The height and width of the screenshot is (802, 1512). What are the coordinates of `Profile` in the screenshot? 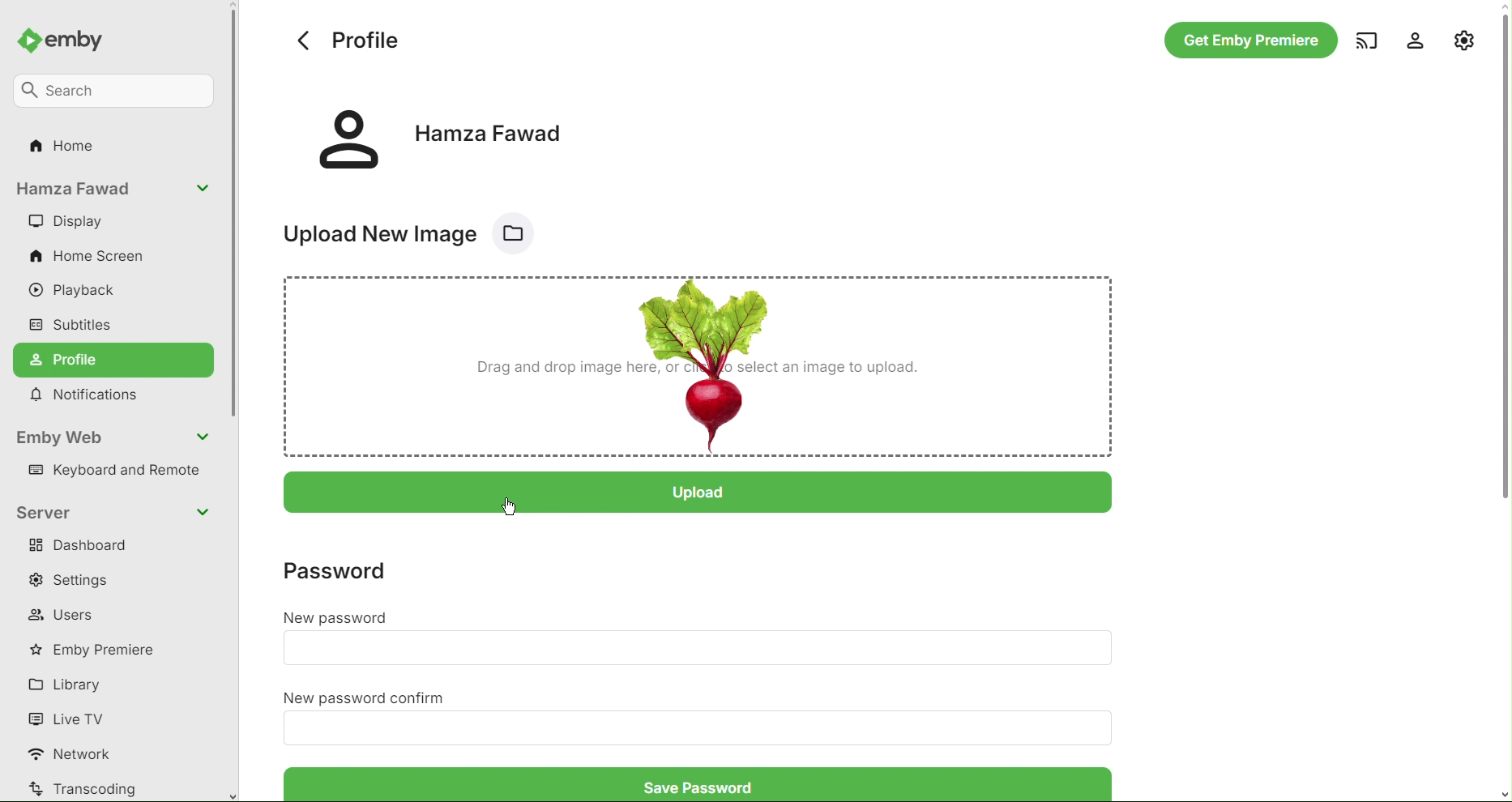 It's located at (346, 40).